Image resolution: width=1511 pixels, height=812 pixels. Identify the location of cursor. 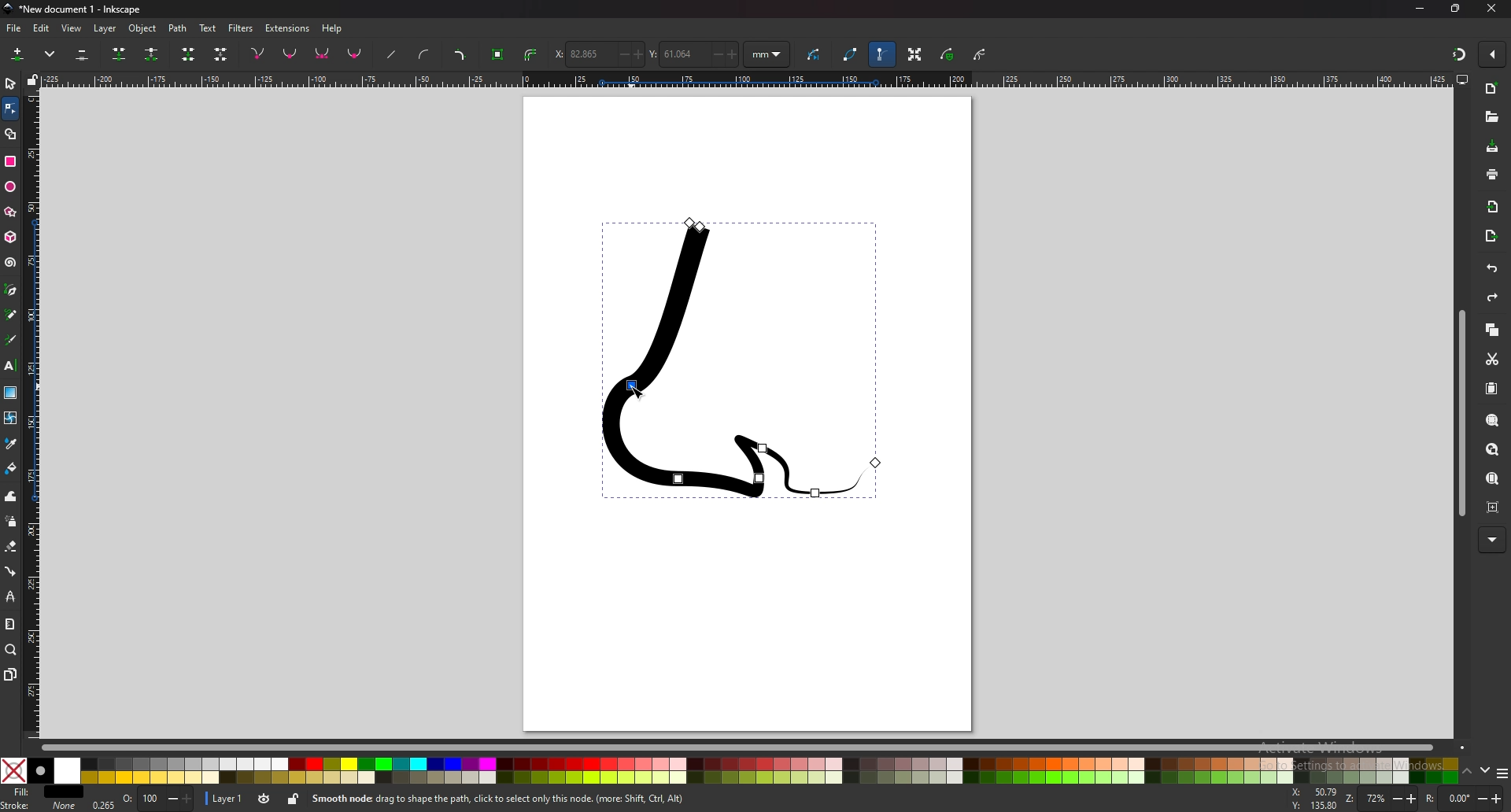
(634, 389).